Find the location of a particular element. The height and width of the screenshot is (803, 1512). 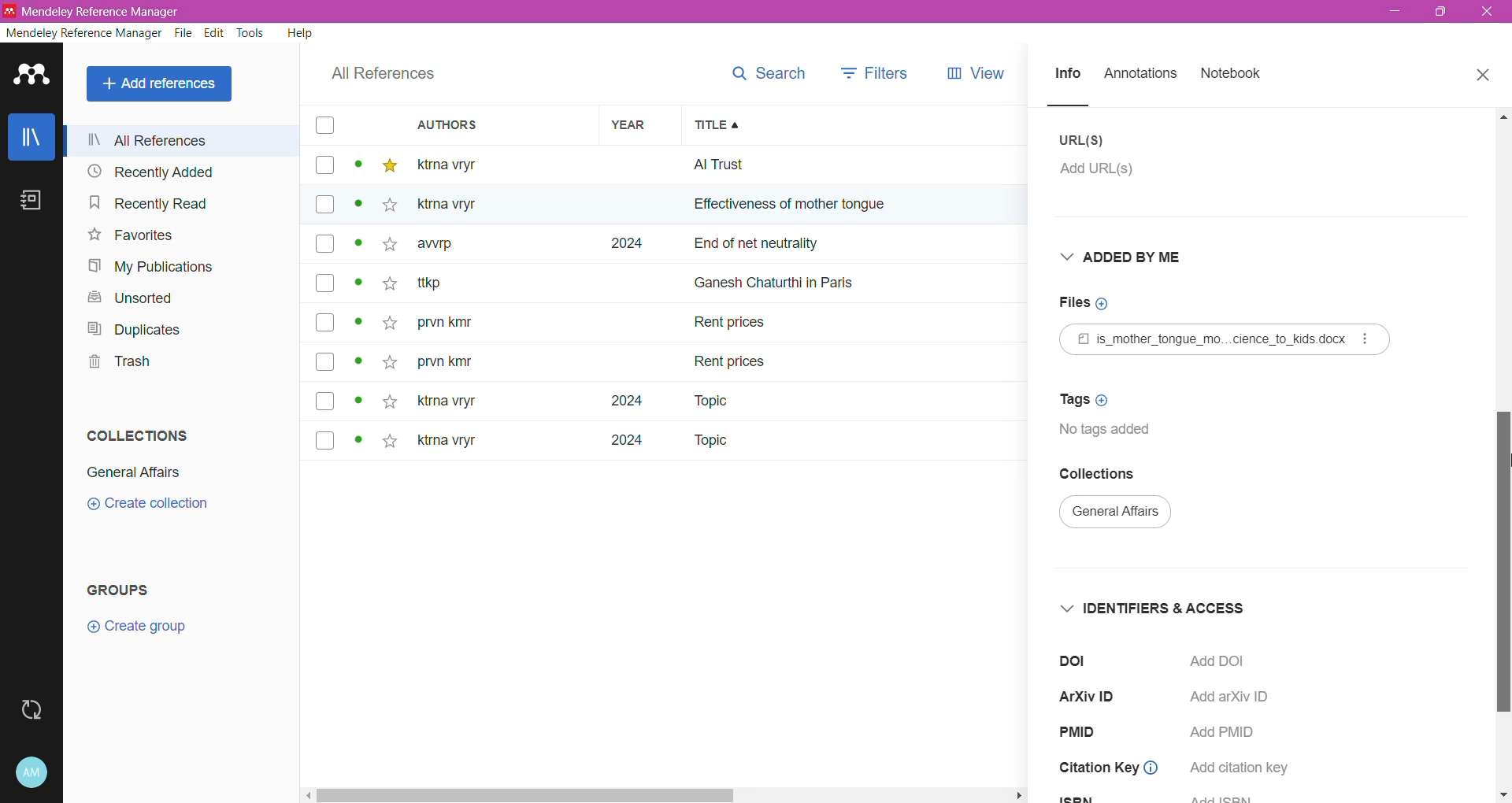

Close Tab is located at coordinates (1485, 76).